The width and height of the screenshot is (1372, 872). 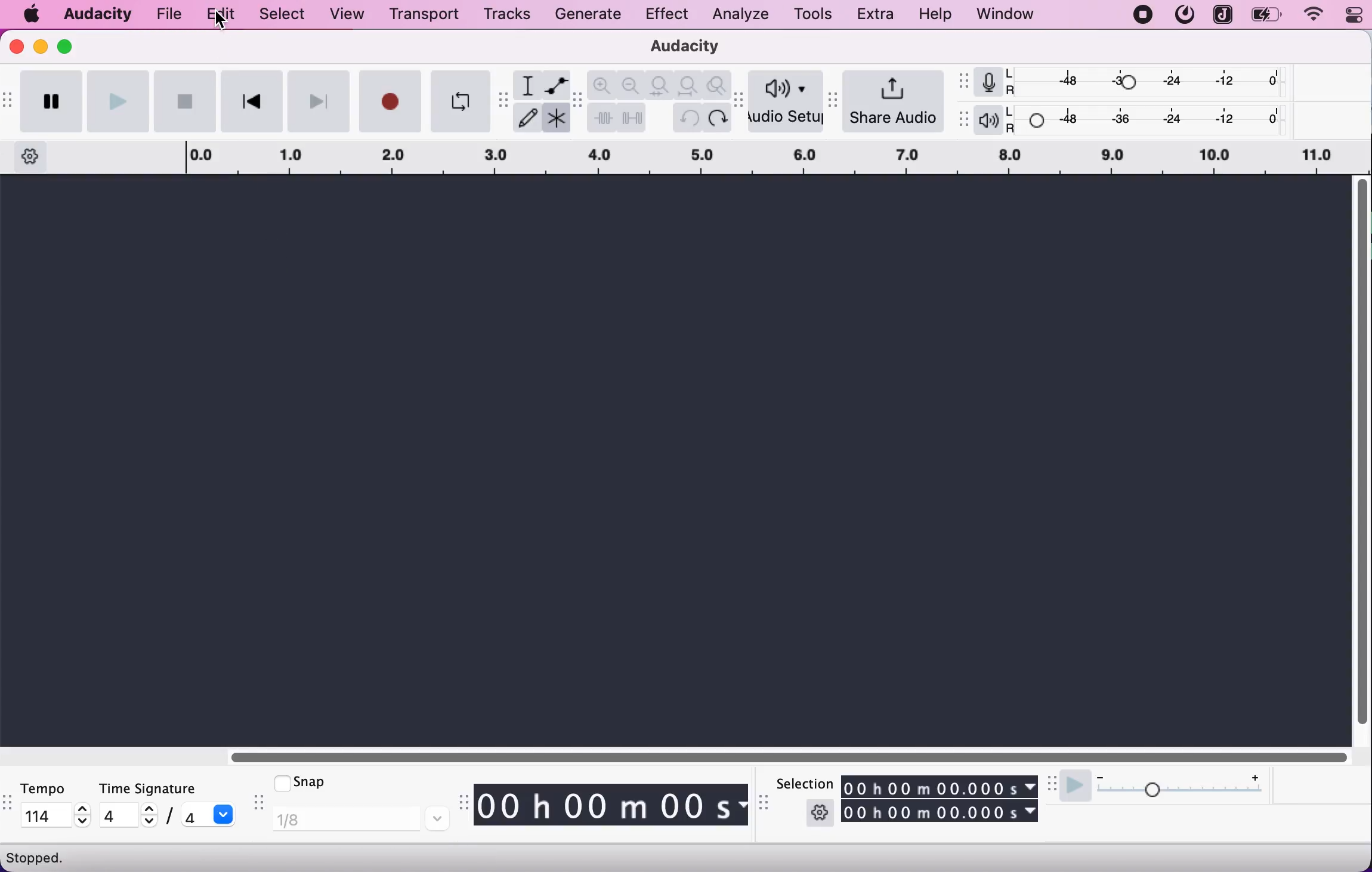 What do you see at coordinates (257, 804) in the screenshot?
I see `audacity snap toolbar` at bounding box center [257, 804].